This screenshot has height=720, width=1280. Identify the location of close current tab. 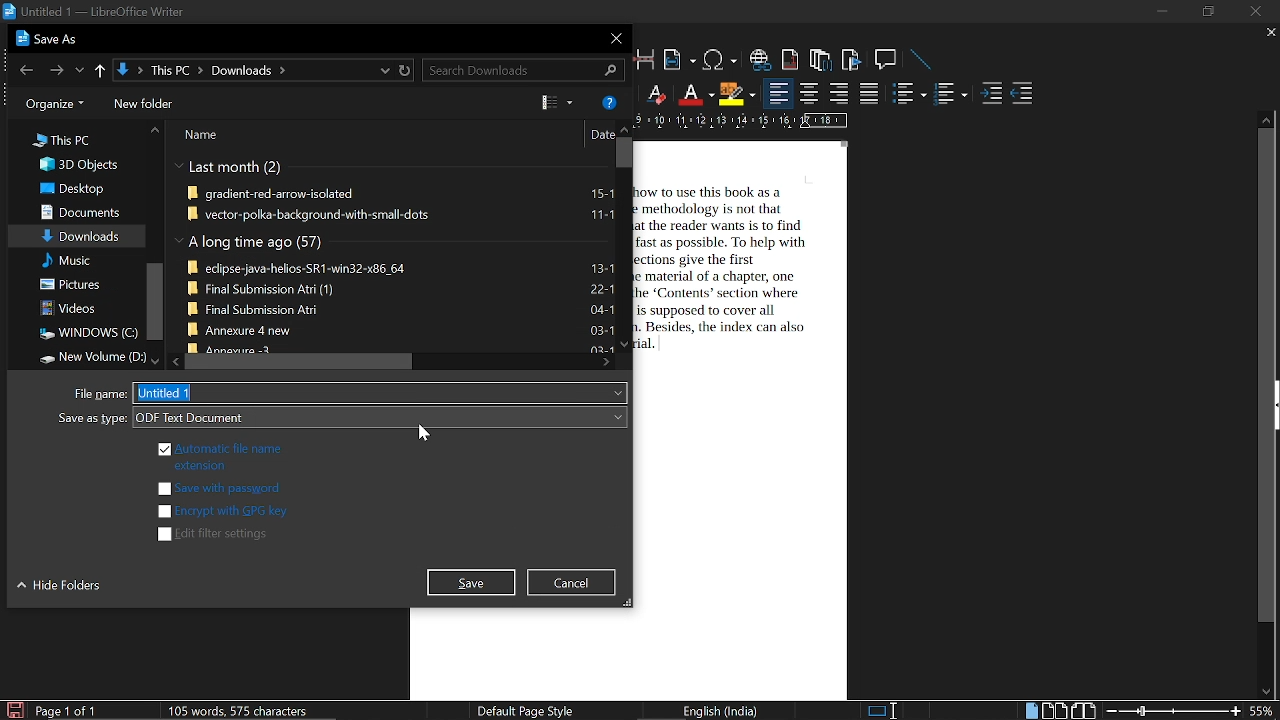
(1266, 33).